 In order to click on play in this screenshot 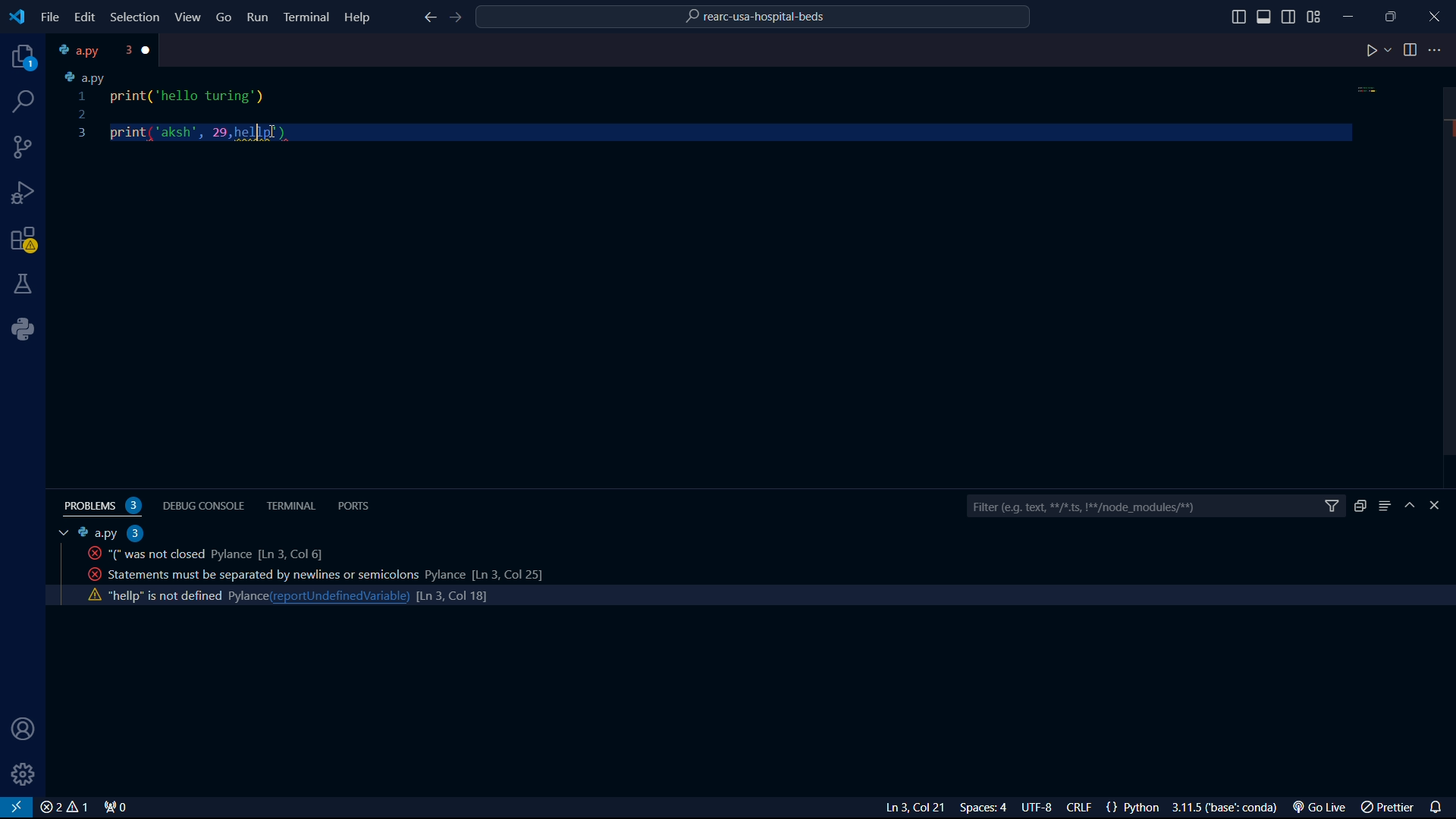, I will do `click(1378, 52)`.